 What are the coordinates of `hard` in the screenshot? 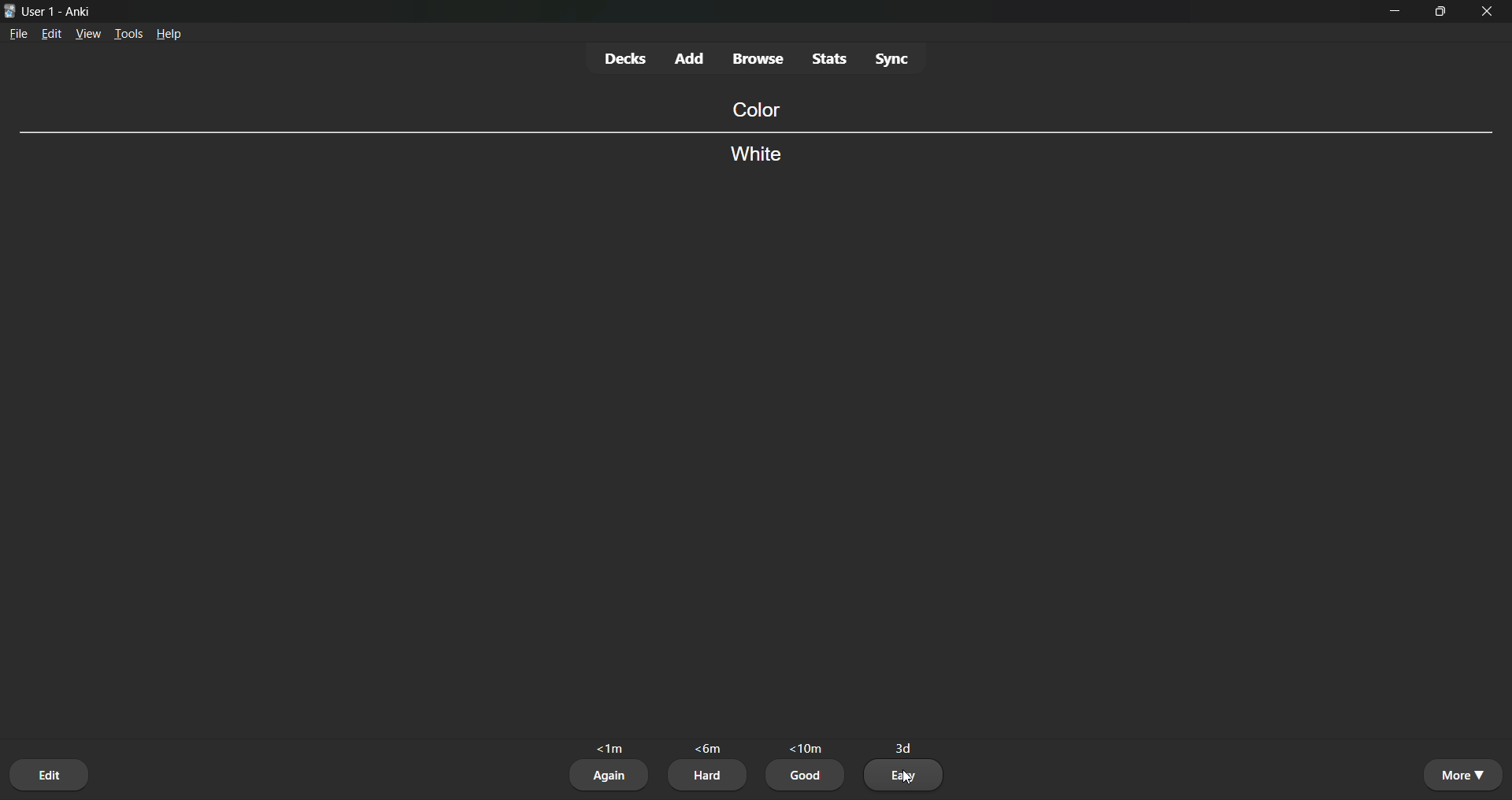 It's located at (707, 776).